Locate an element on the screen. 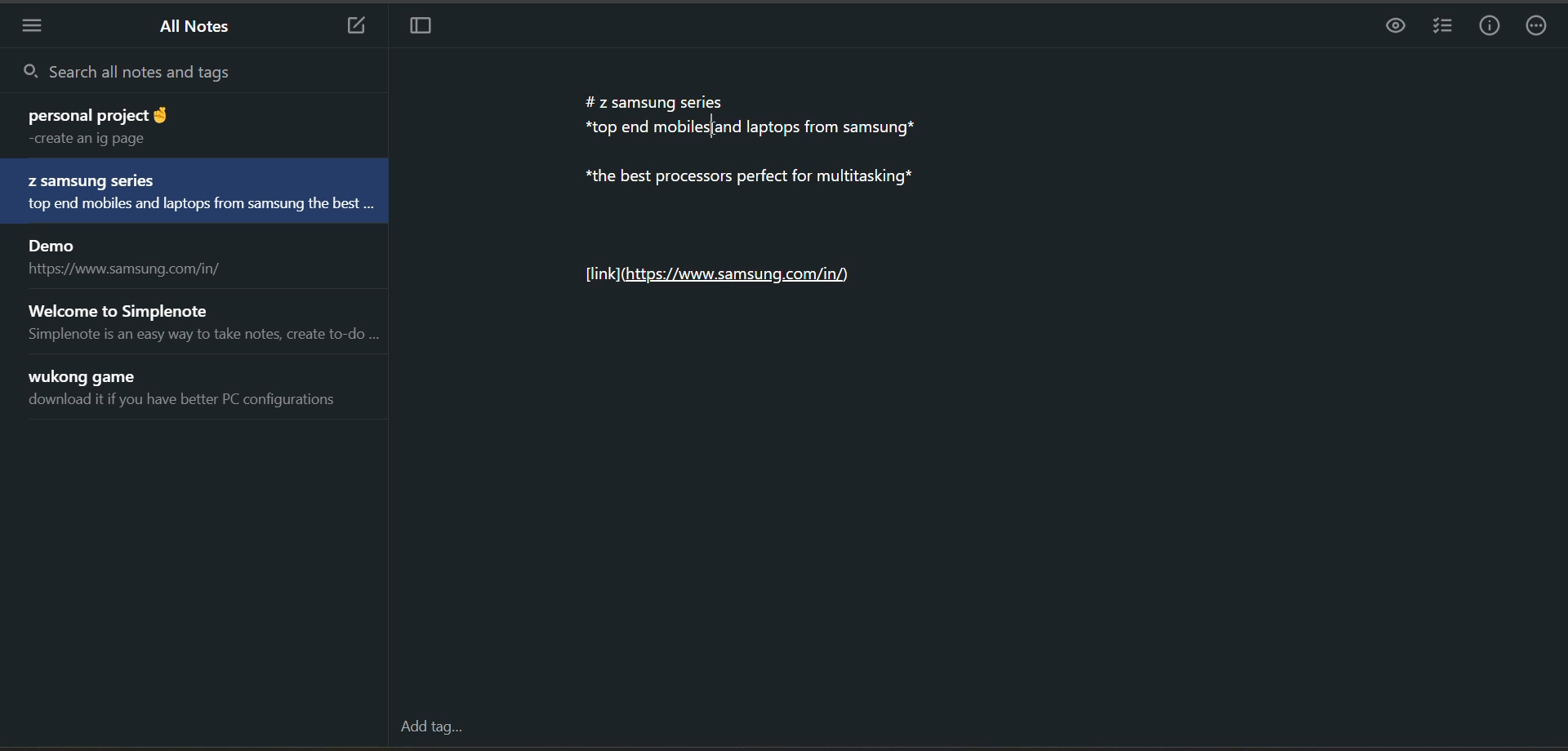 This screenshot has height=751, width=1568. preview is located at coordinates (1389, 30).